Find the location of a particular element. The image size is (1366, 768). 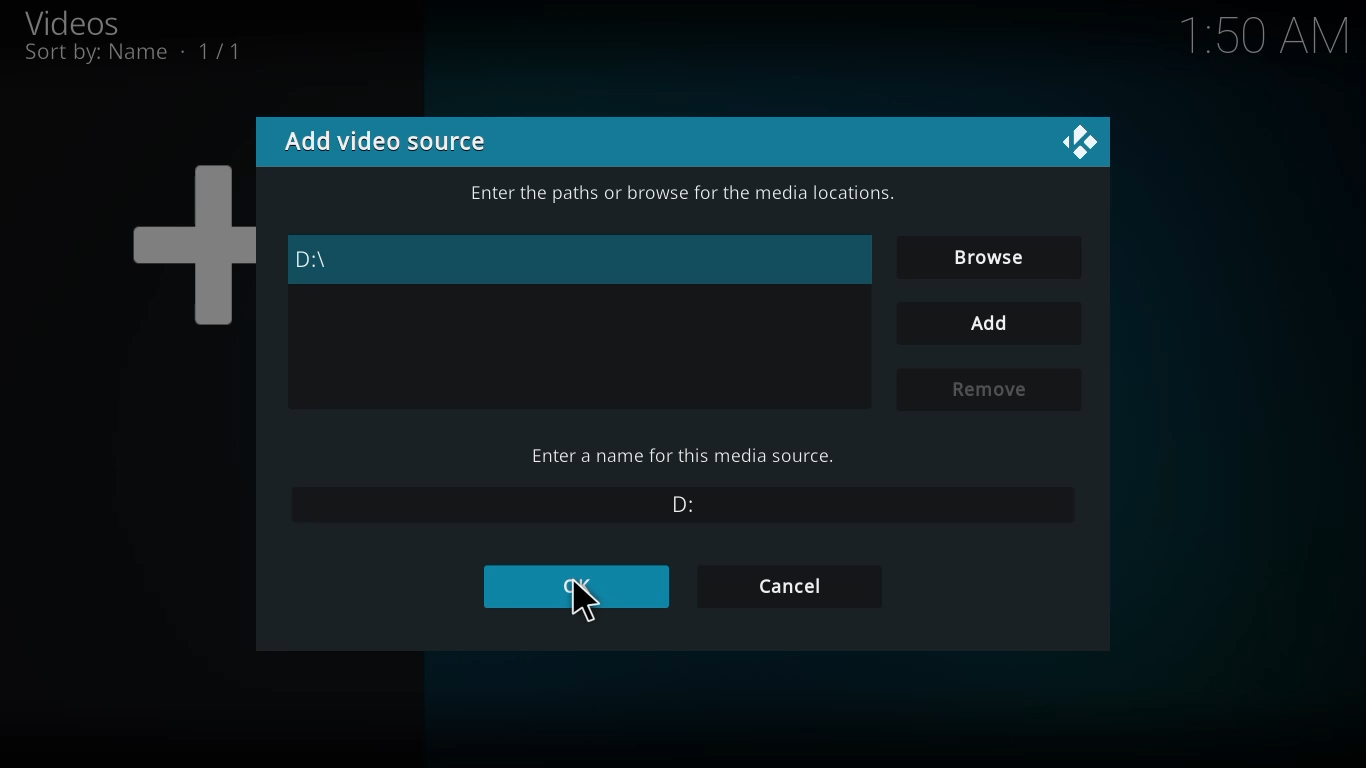

browse is located at coordinates (985, 256).